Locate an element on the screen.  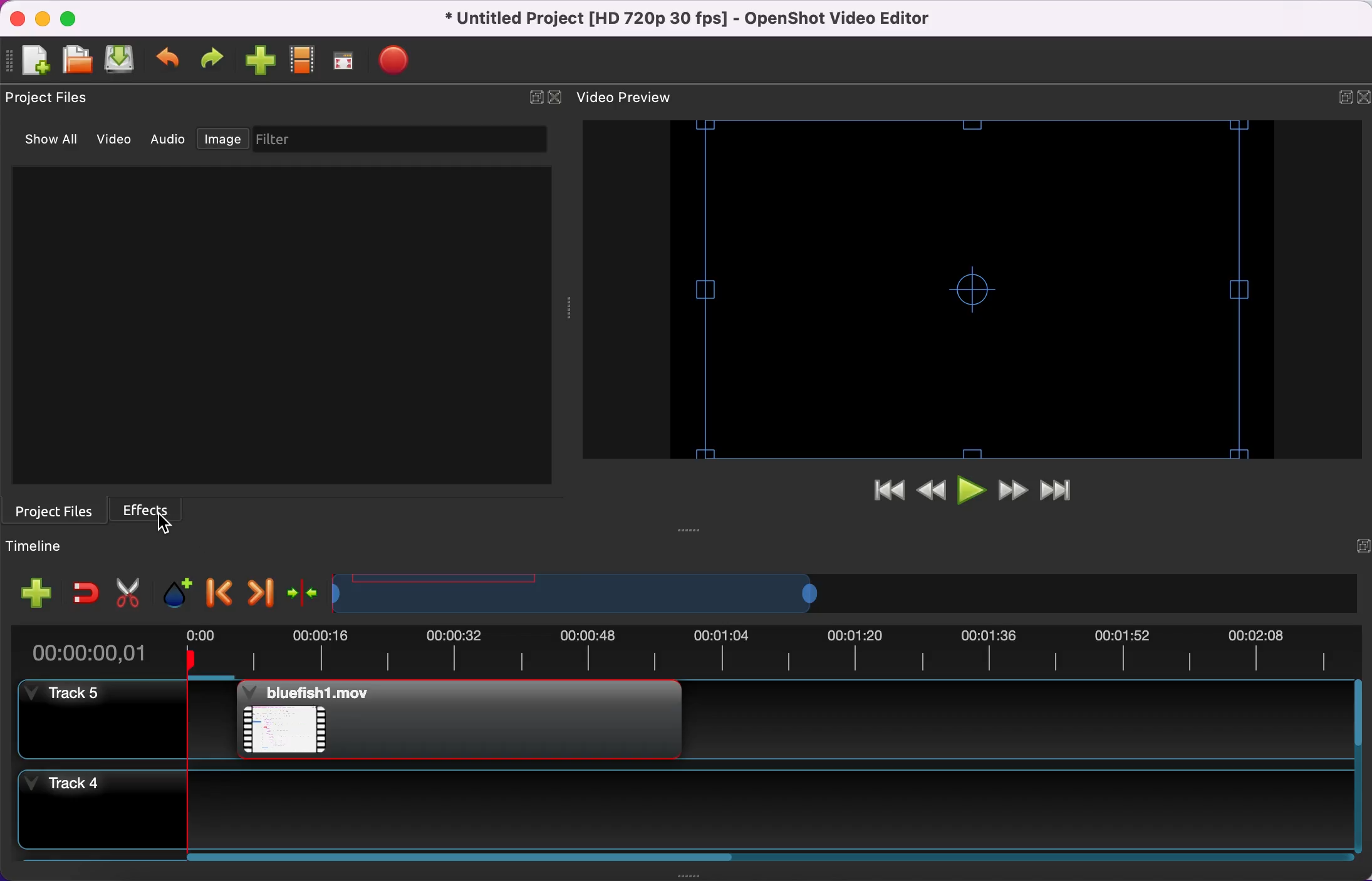
video is located at coordinates (114, 142).